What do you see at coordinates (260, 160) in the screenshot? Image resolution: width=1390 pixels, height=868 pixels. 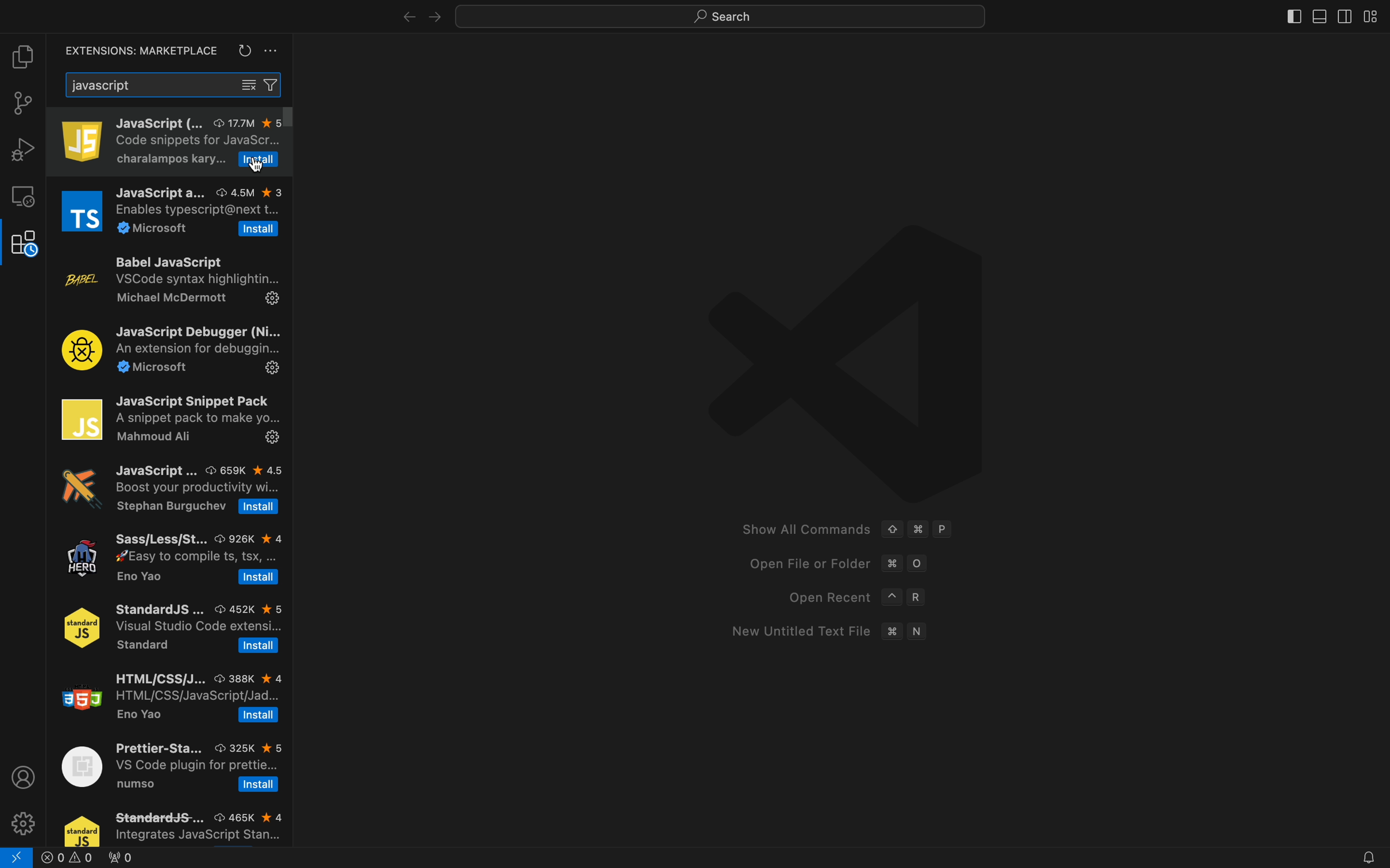 I see `install button` at bounding box center [260, 160].